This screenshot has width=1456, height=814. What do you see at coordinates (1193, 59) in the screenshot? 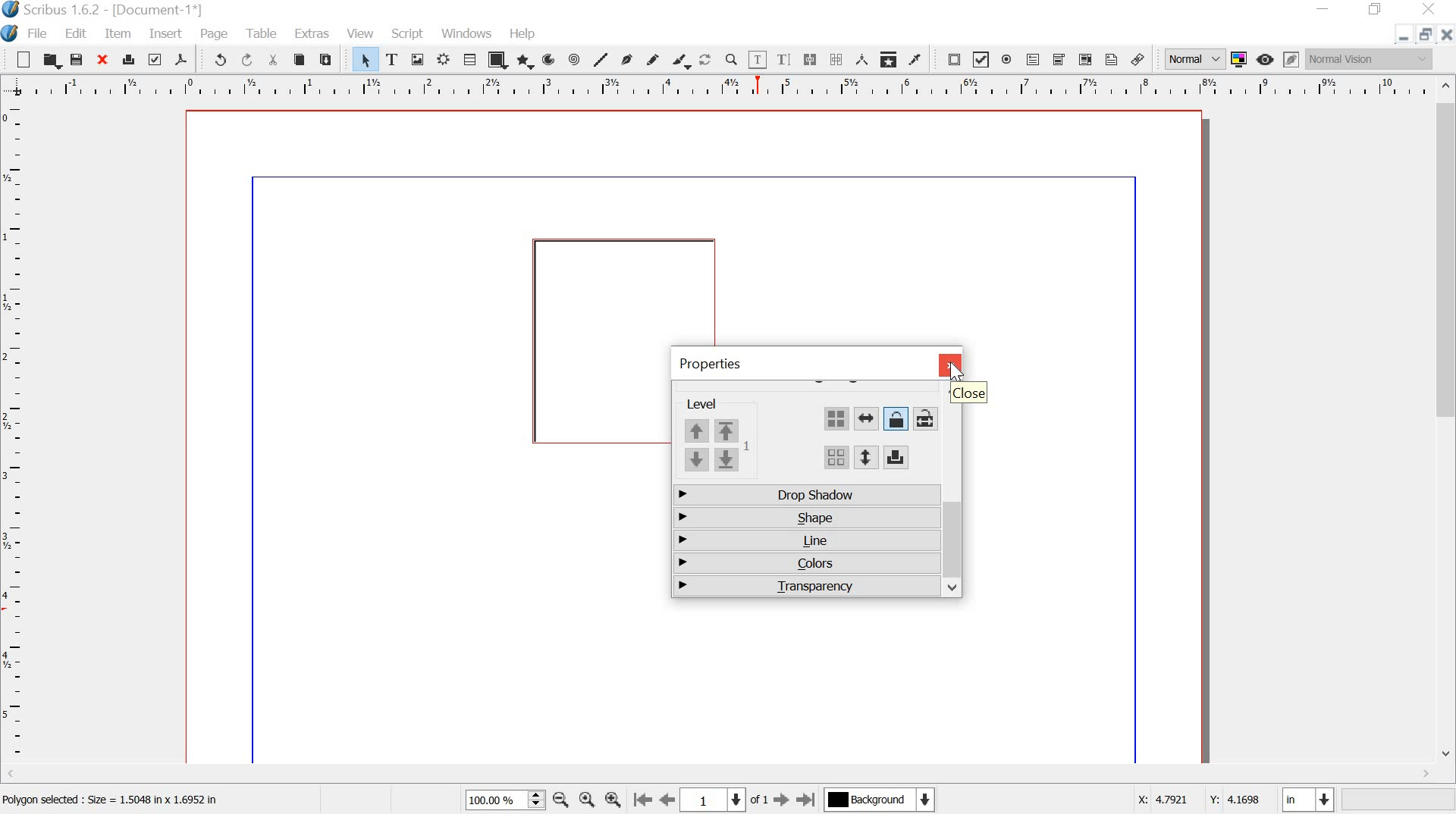
I see `normal` at bounding box center [1193, 59].